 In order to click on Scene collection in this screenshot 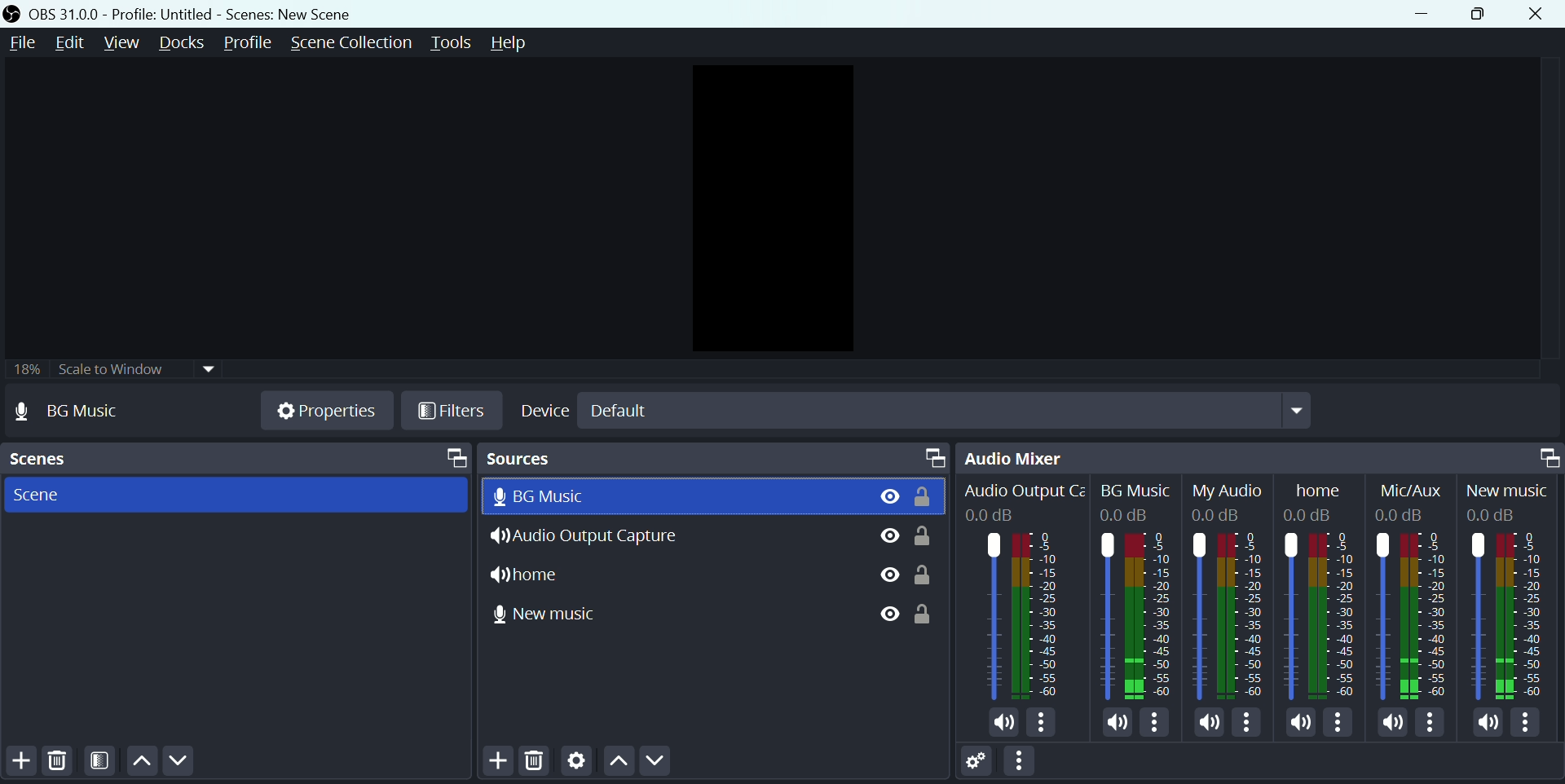, I will do `click(355, 42)`.